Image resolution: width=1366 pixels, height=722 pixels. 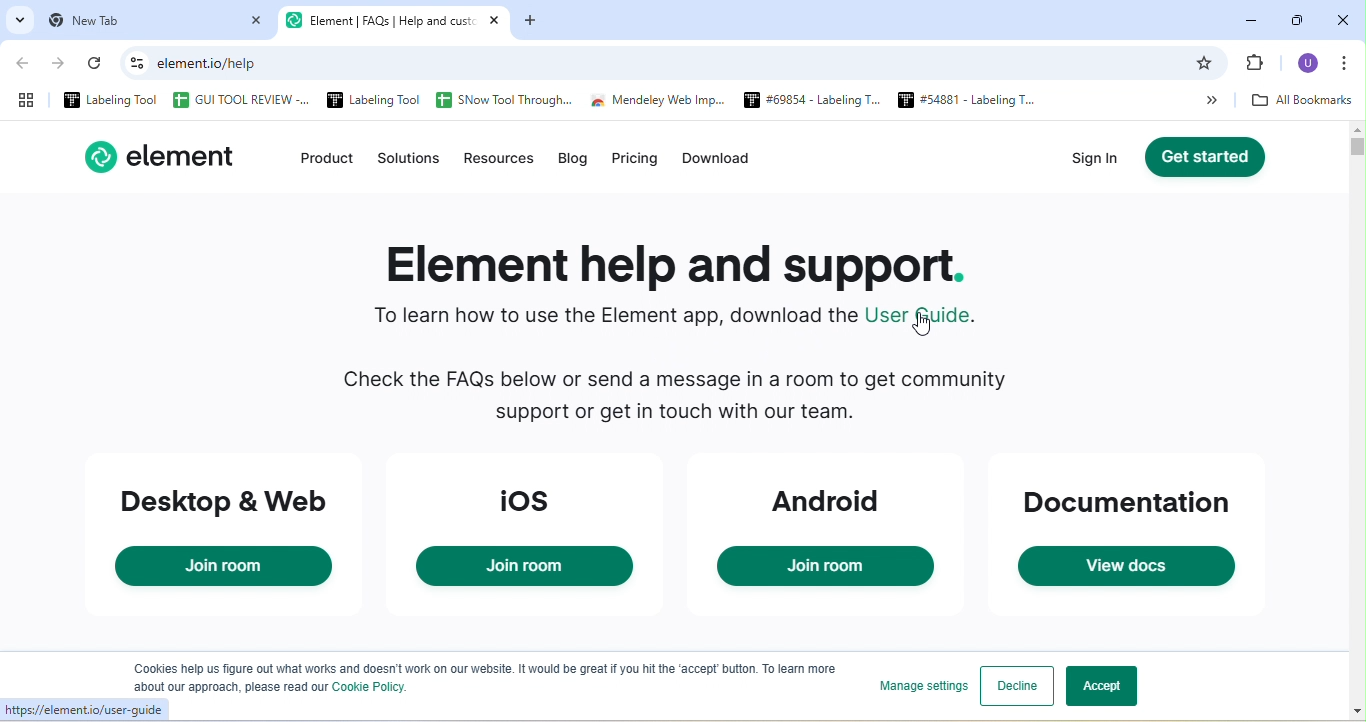 I want to click on U profile, so click(x=1308, y=63).